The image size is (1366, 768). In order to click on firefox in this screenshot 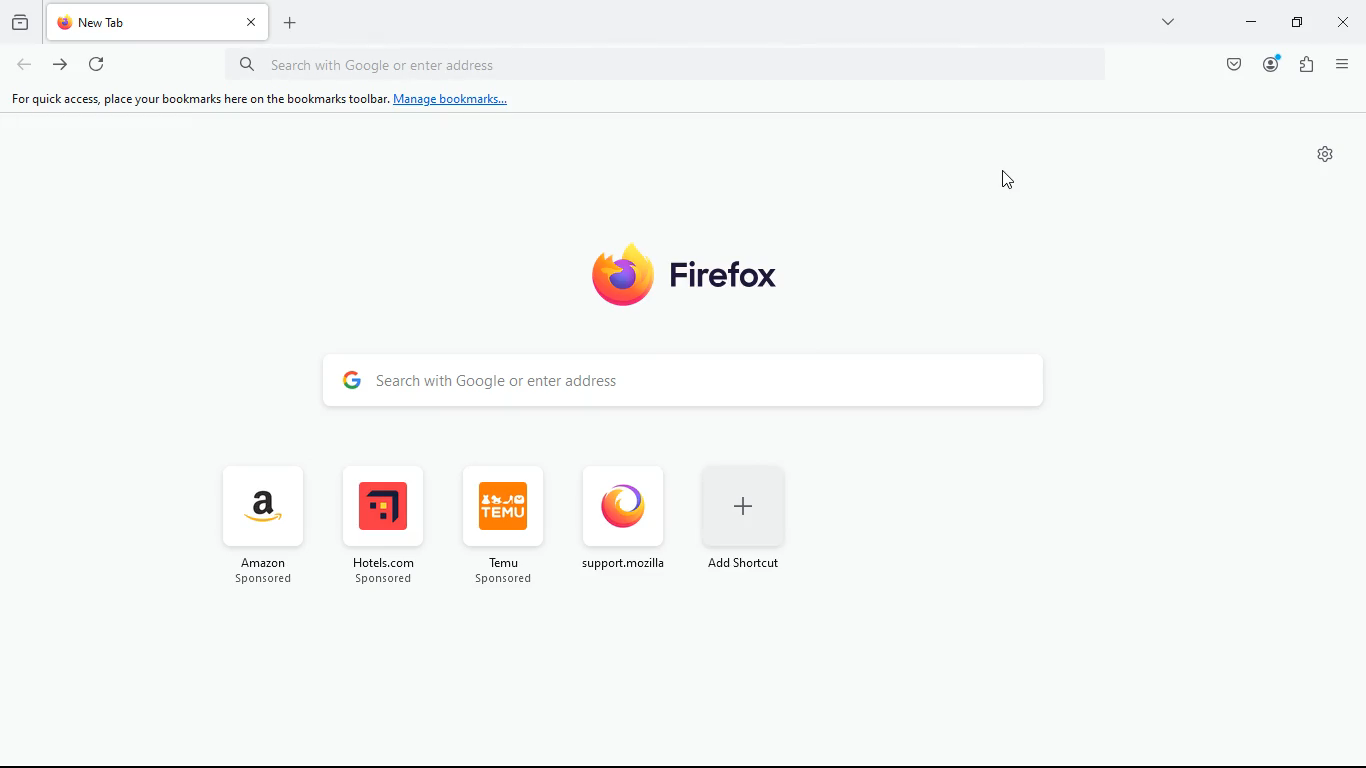, I will do `click(708, 278)`.